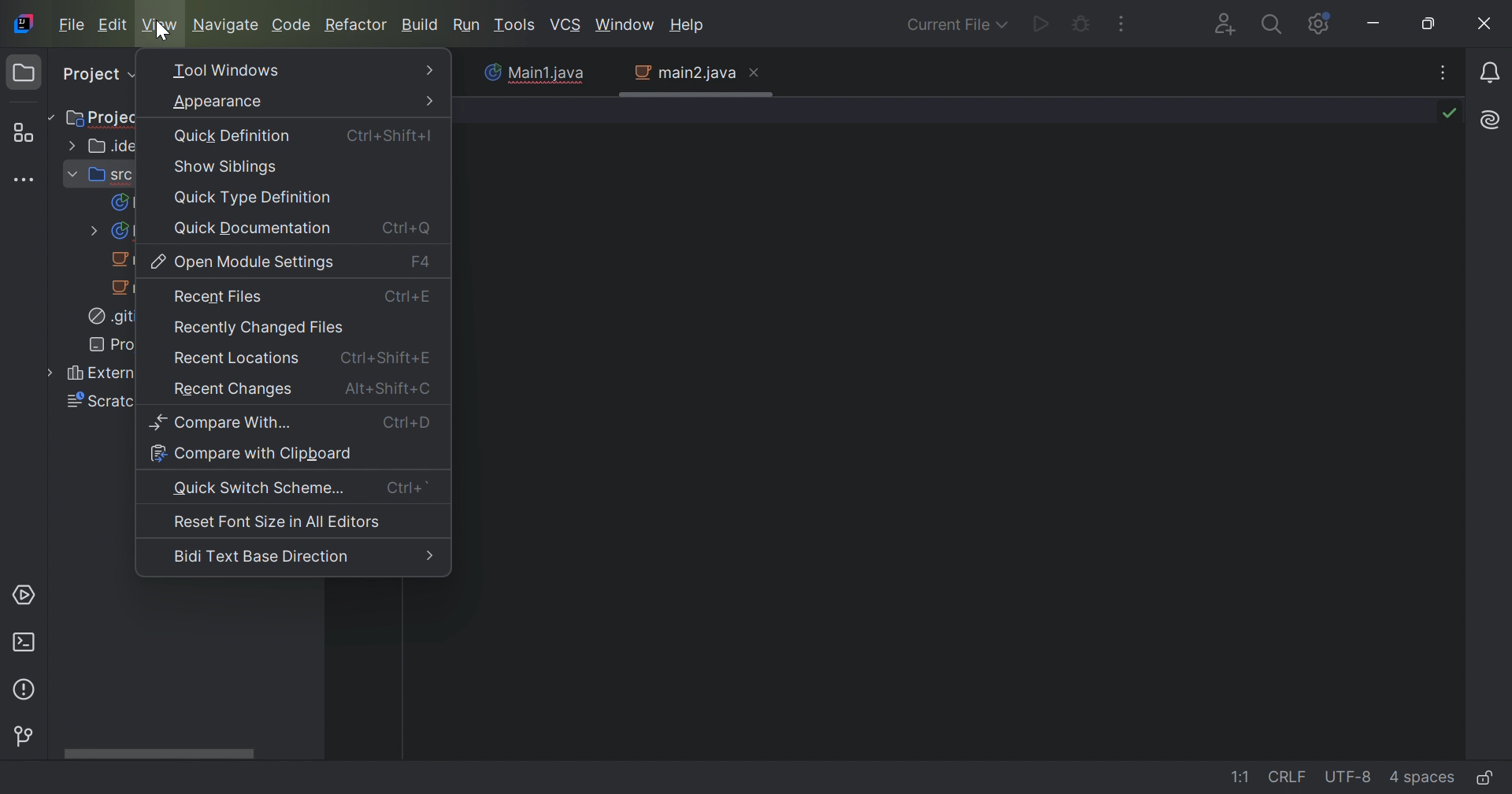 The height and width of the screenshot is (794, 1512). I want to click on .idea, so click(105, 145).